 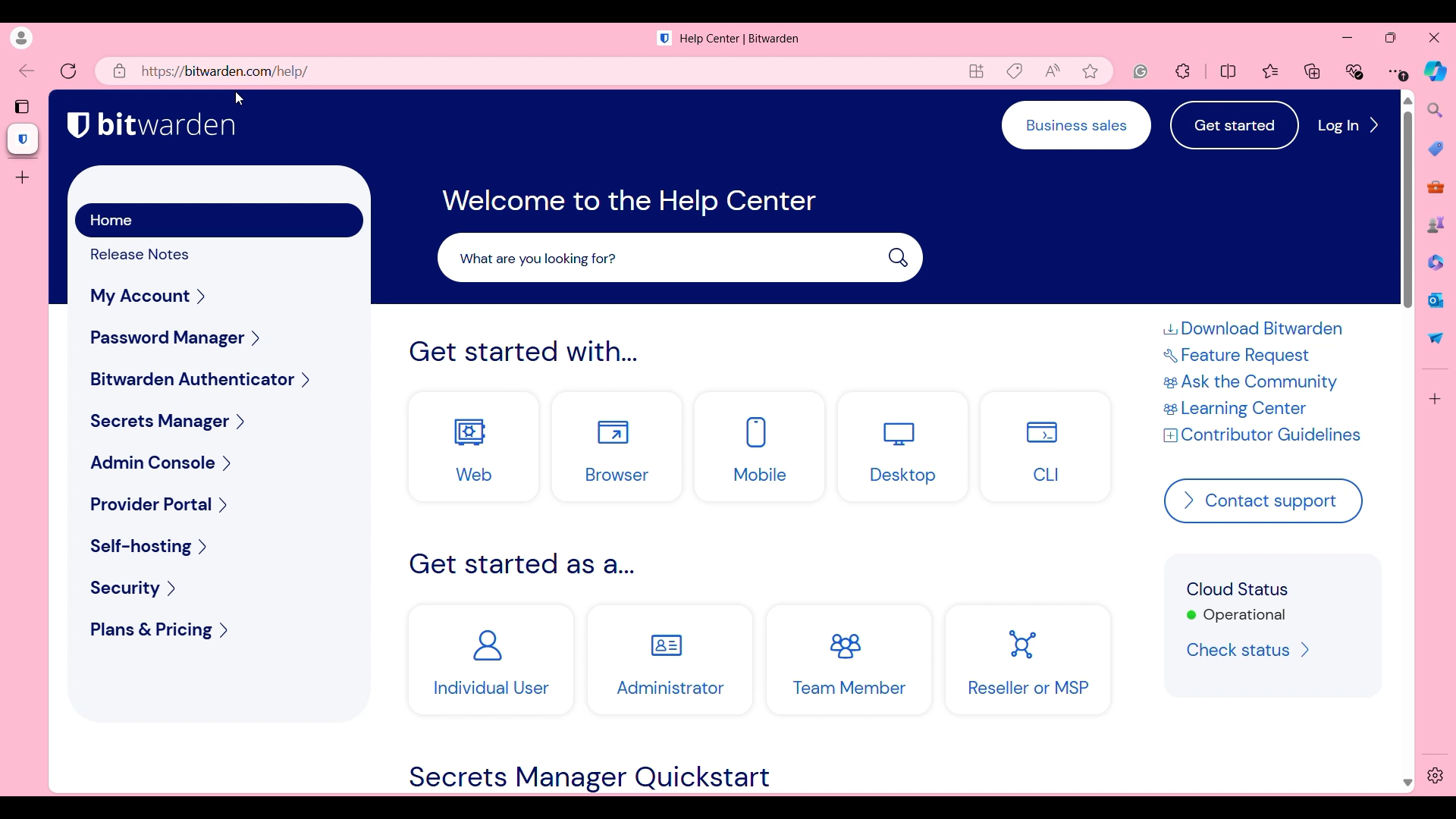 I want to click on Shopping with app, so click(x=1015, y=71).